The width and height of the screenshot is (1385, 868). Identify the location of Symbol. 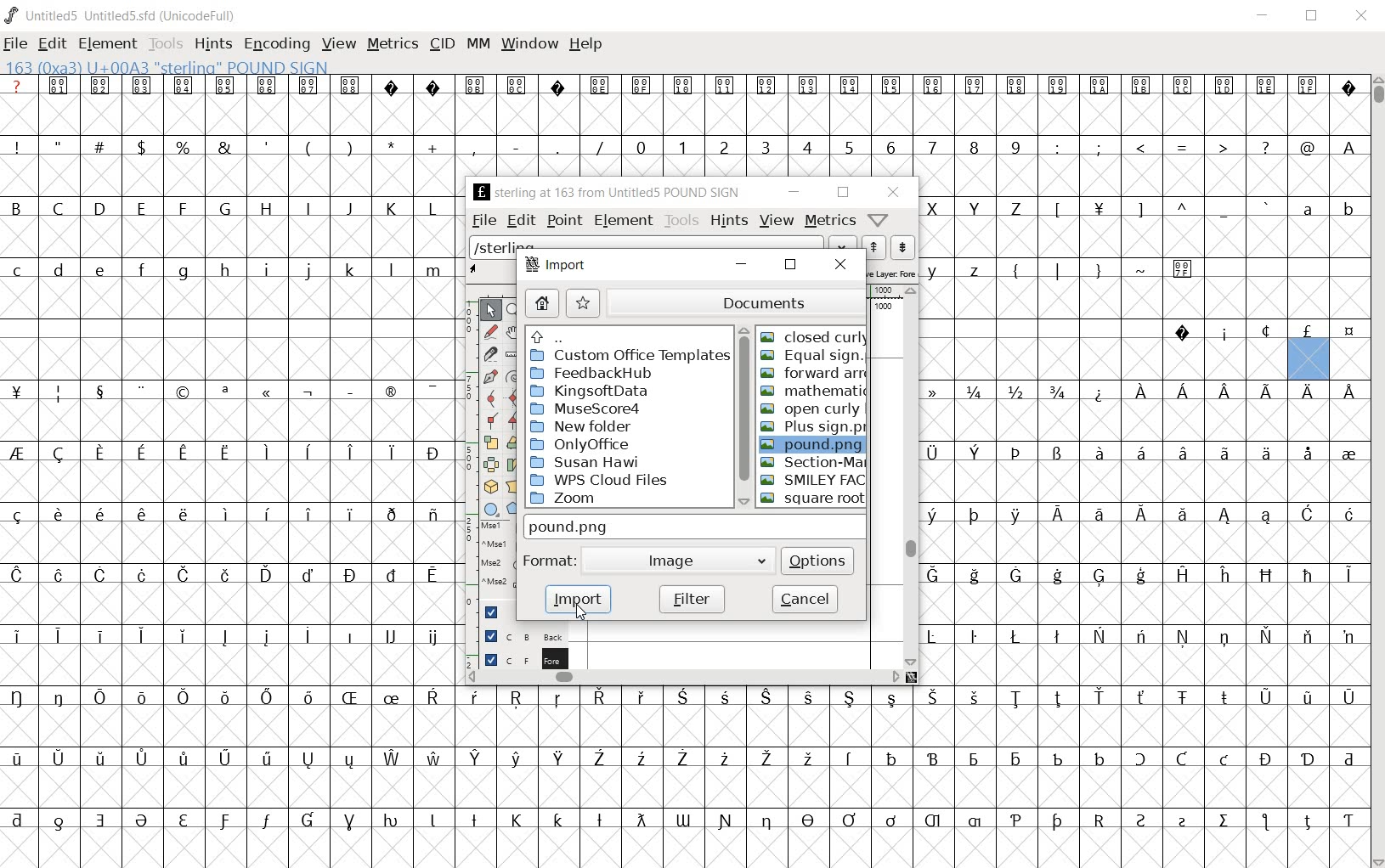
(1225, 822).